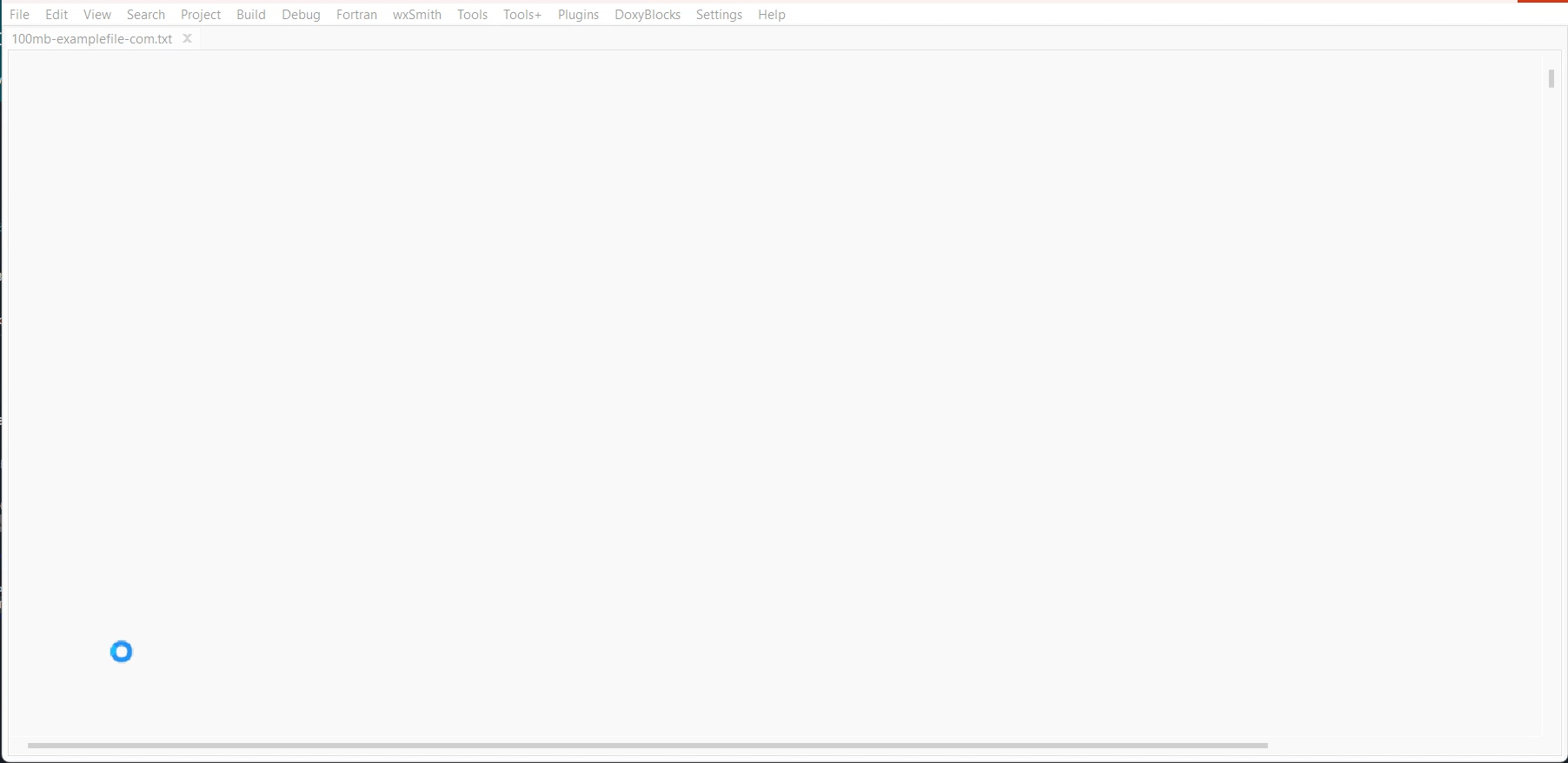  Describe the element at coordinates (252, 15) in the screenshot. I see `Build` at that location.